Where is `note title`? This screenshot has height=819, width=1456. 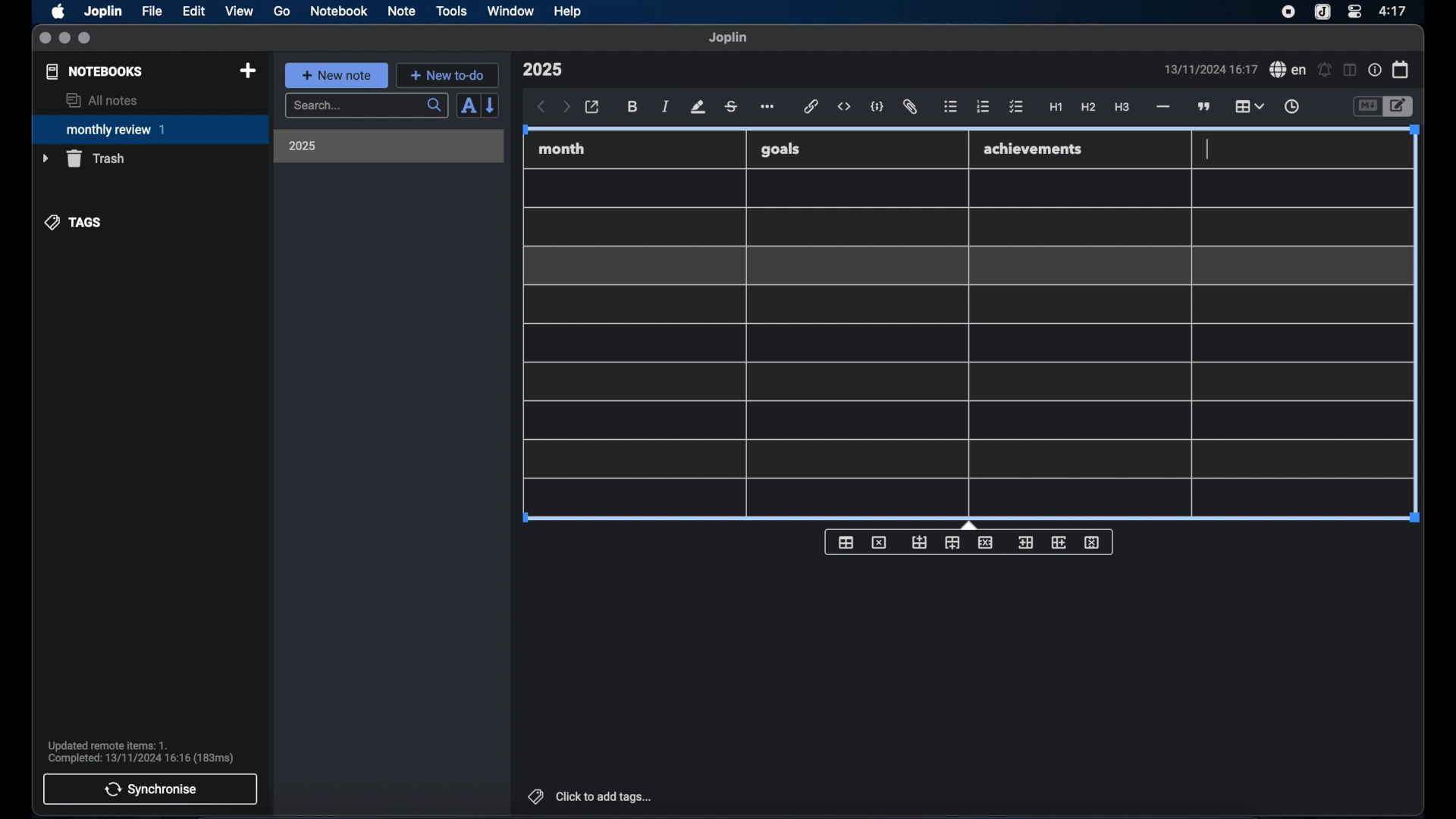
note title is located at coordinates (542, 70).